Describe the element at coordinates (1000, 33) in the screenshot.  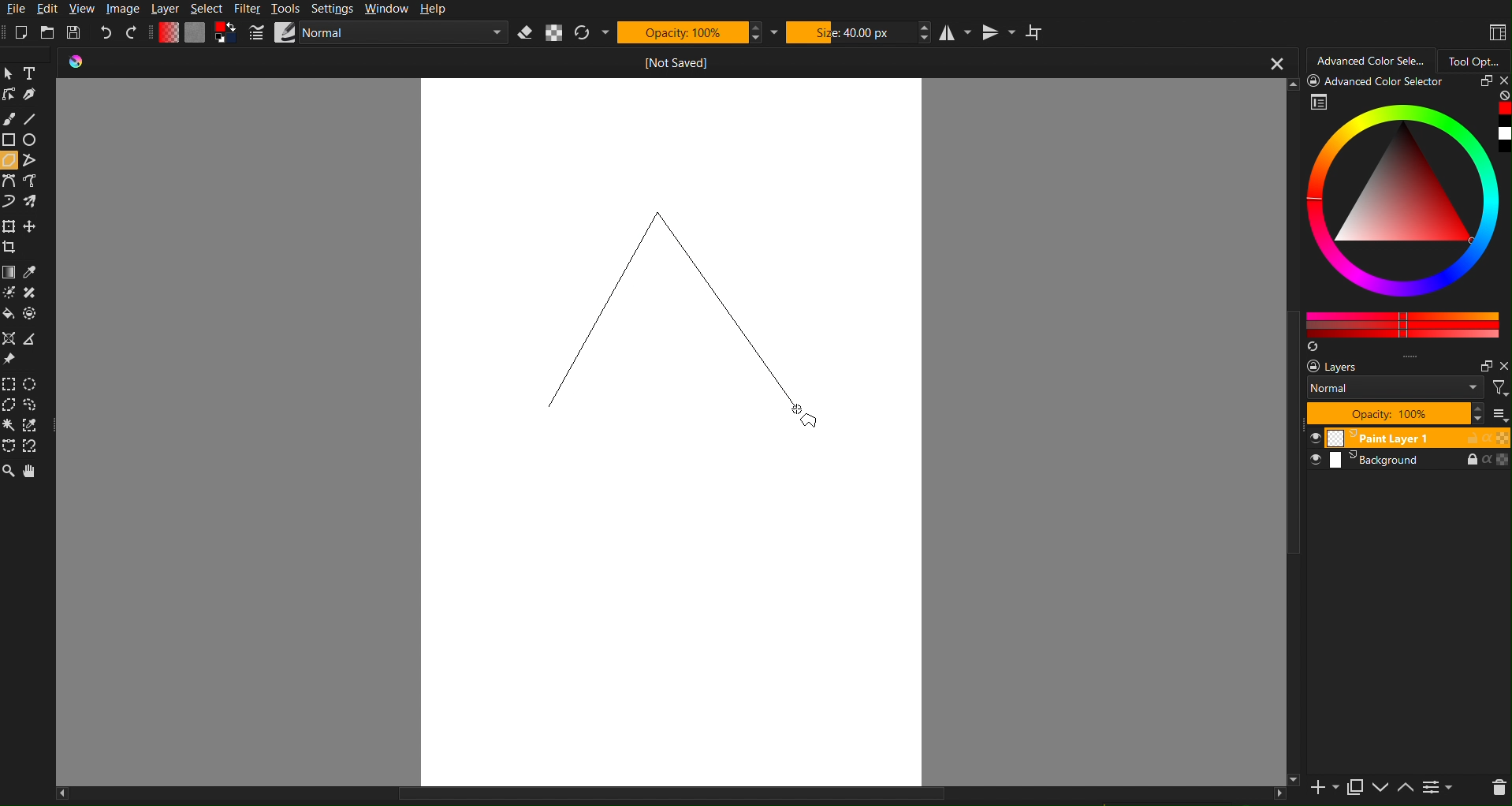
I see `Vertical Mirror` at that location.